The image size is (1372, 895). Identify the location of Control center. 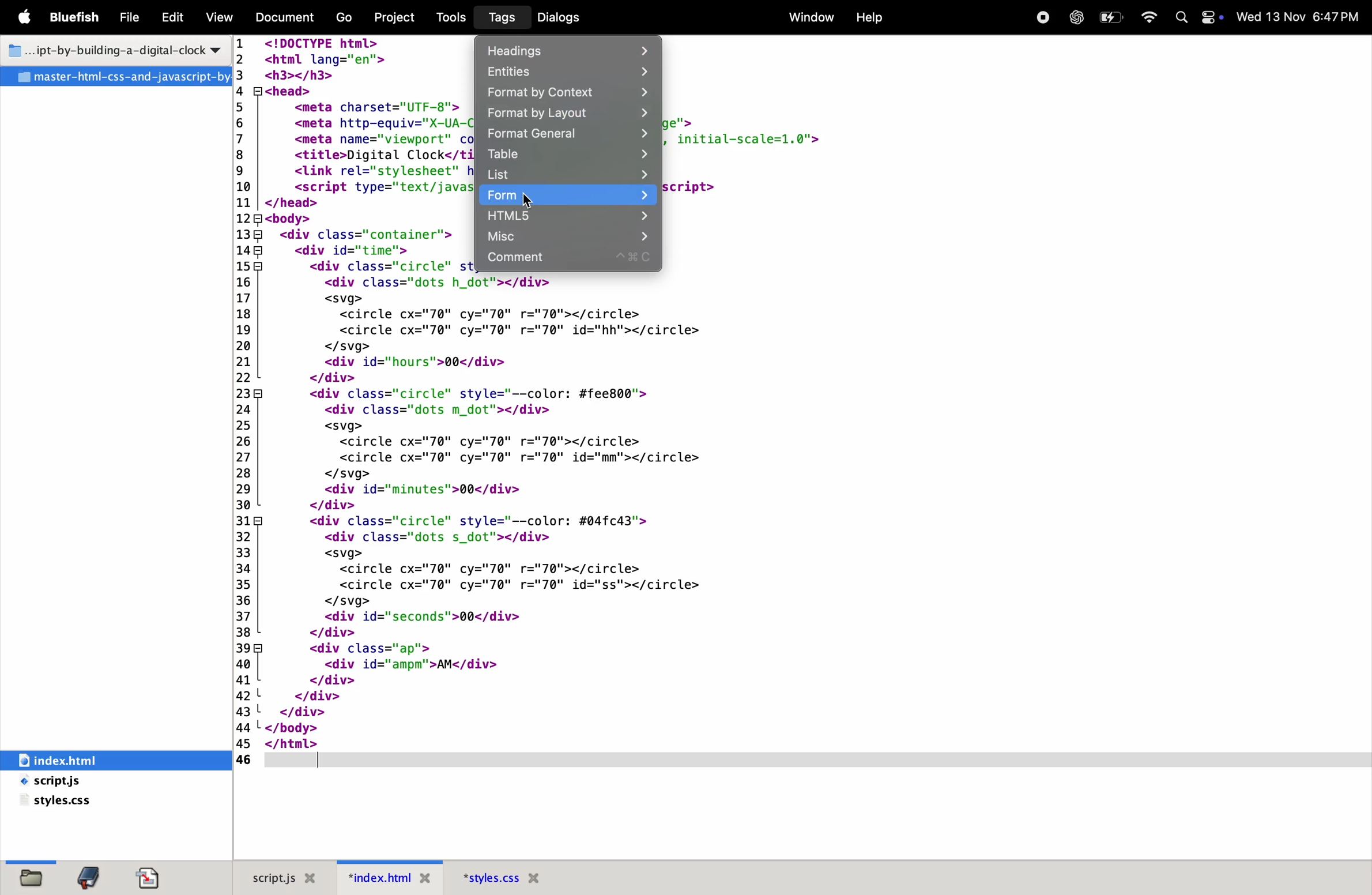
(1212, 17).